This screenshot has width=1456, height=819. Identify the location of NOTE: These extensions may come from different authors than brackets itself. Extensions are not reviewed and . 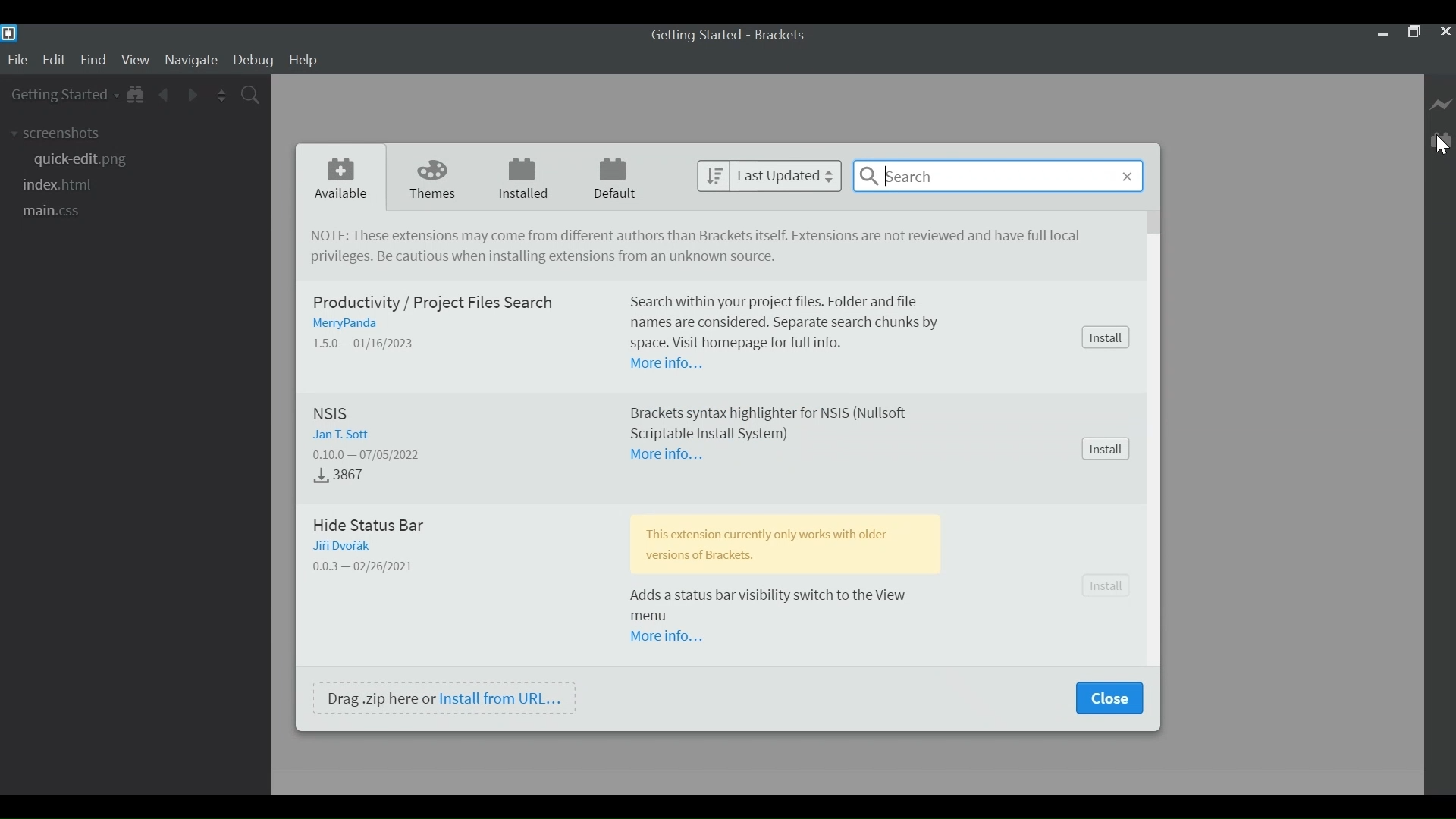
(702, 237).